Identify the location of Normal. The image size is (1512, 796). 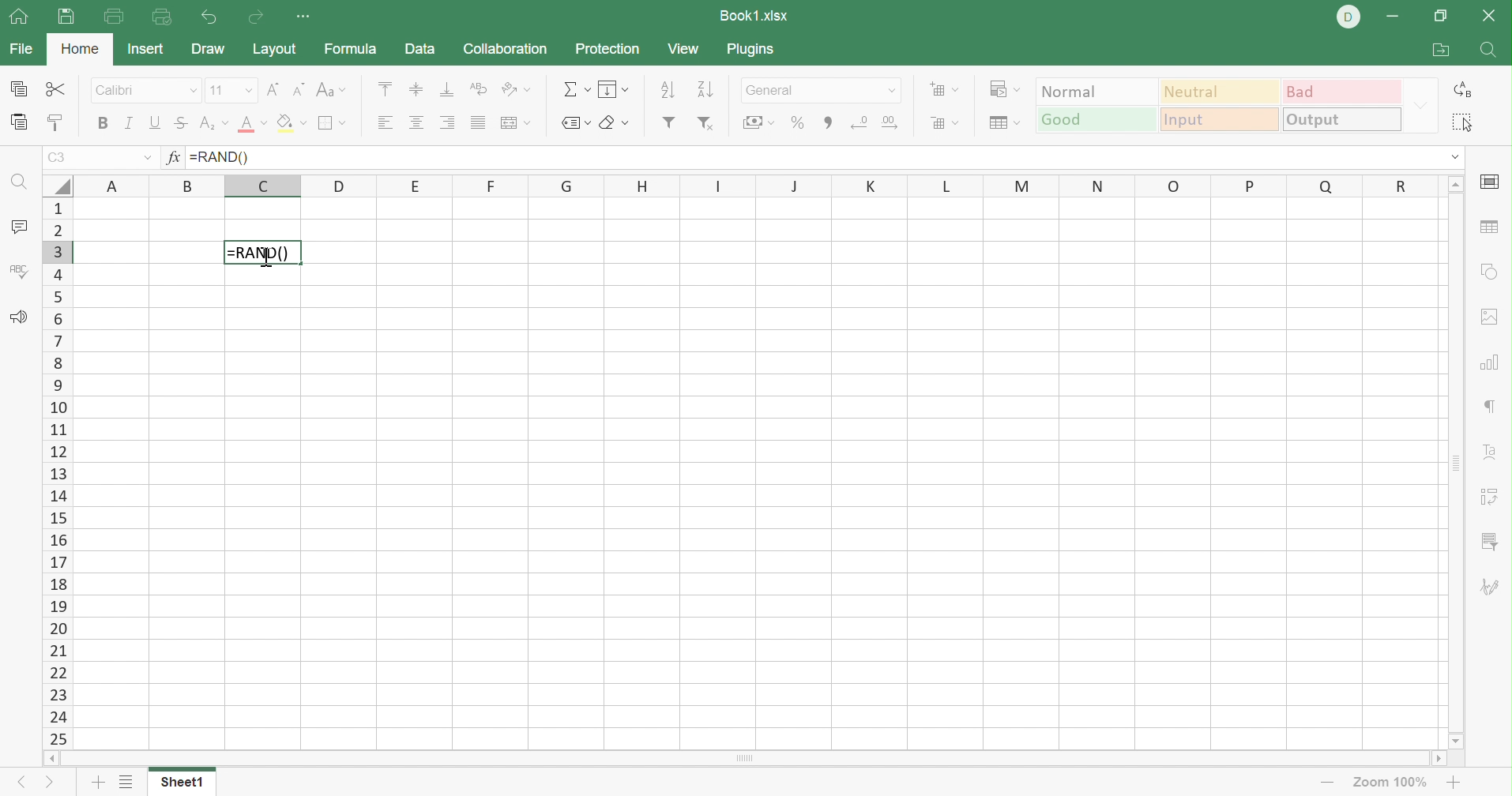
(1097, 93).